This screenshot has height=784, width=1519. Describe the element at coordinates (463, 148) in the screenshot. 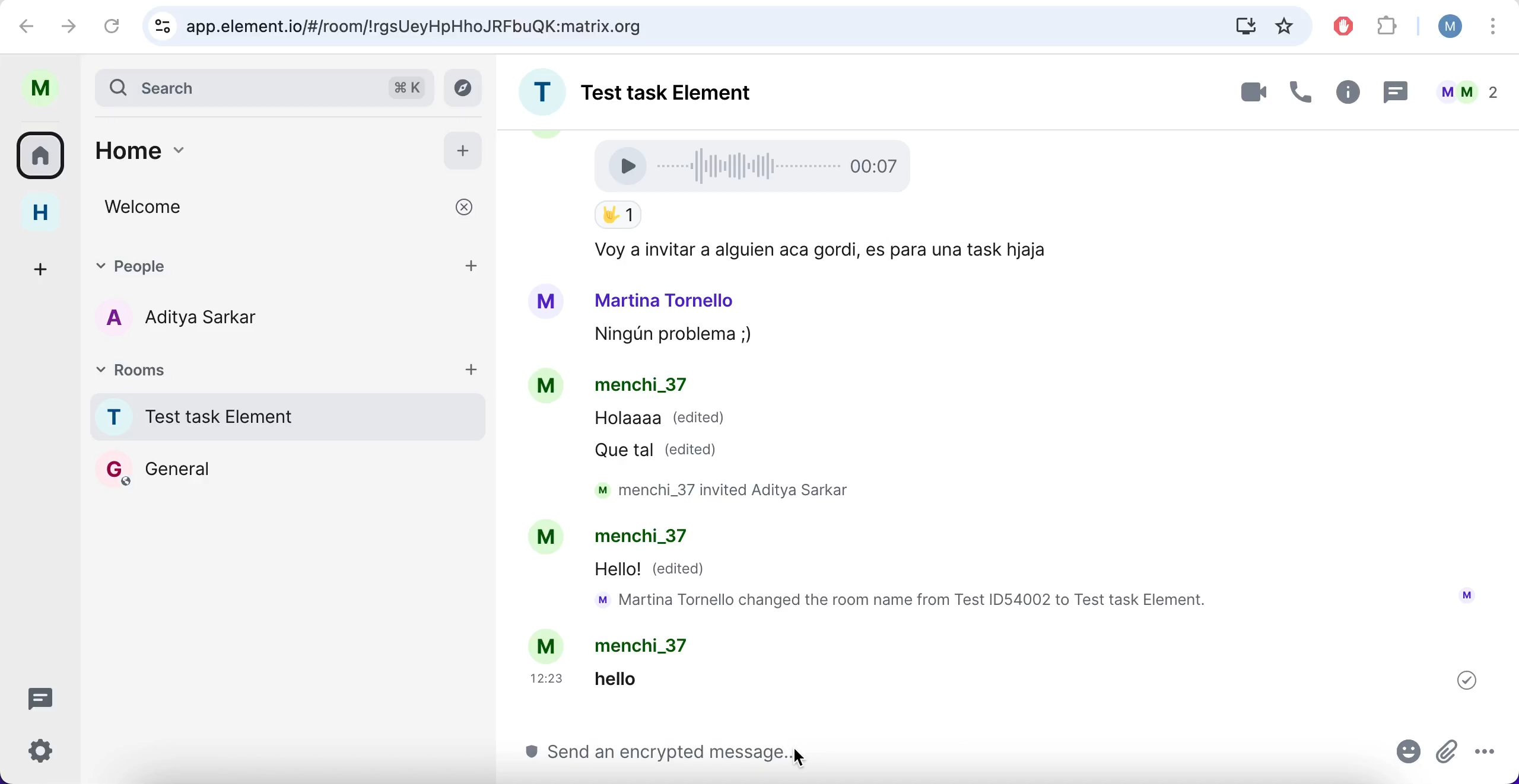

I see `add` at that location.